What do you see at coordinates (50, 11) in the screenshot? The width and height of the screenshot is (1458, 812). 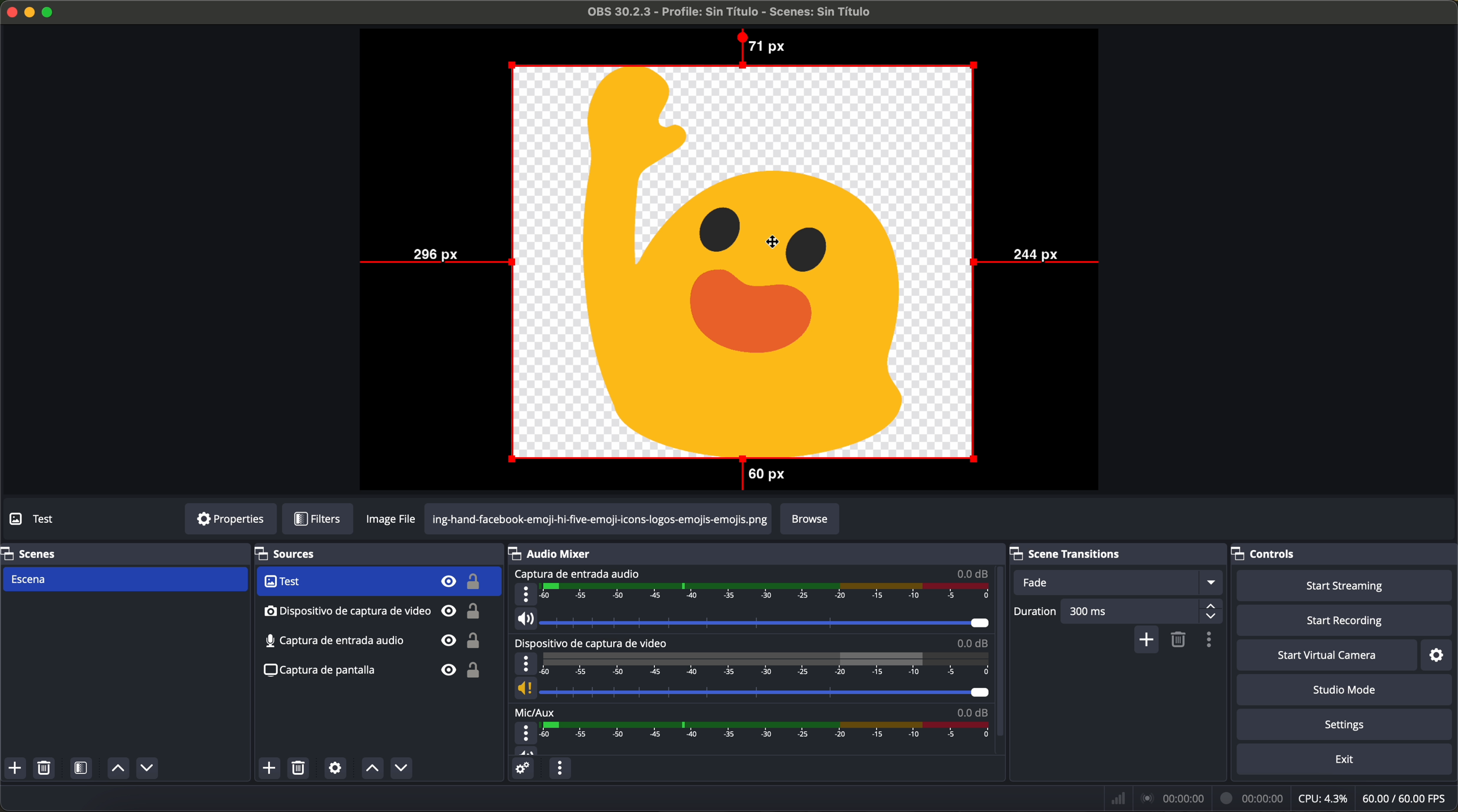 I see `maximize program` at bounding box center [50, 11].